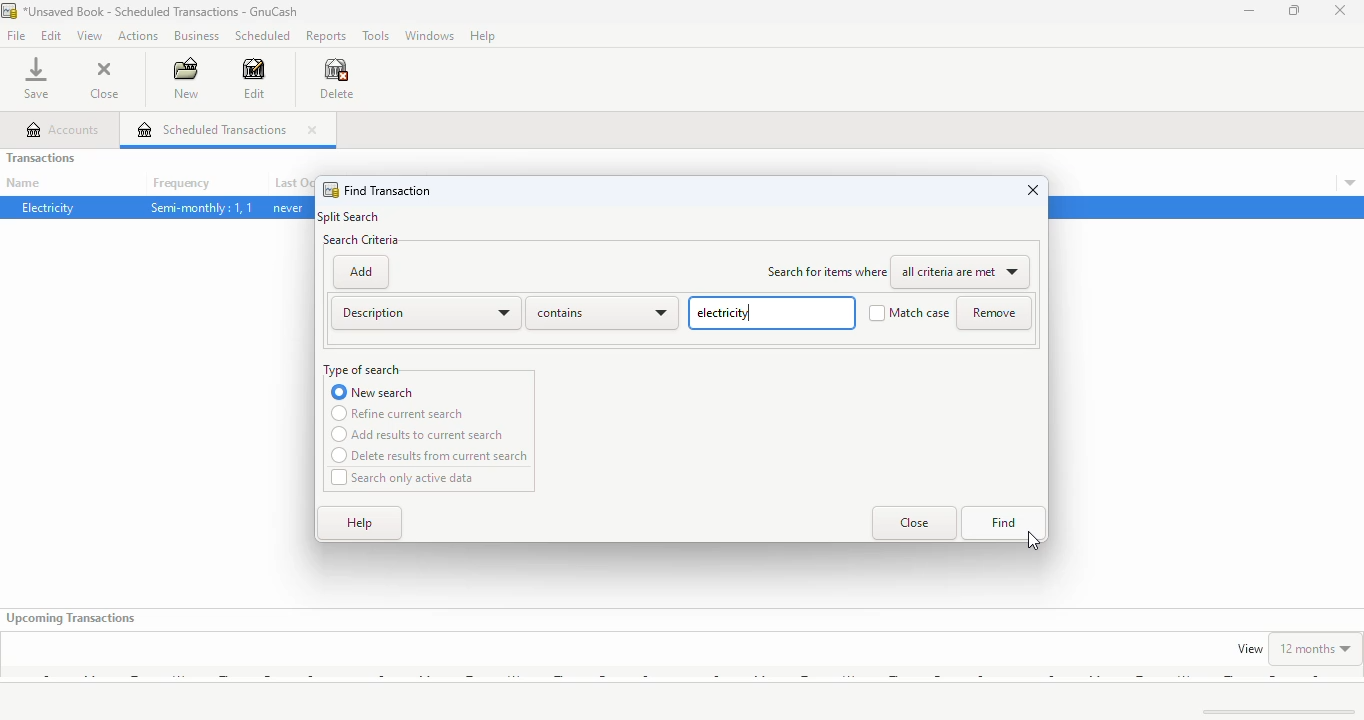 The height and width of the screenshot is (720, 1364). Describe the element at coordinates (1293, 10) in the screenshot. I see `maximize` at that location.